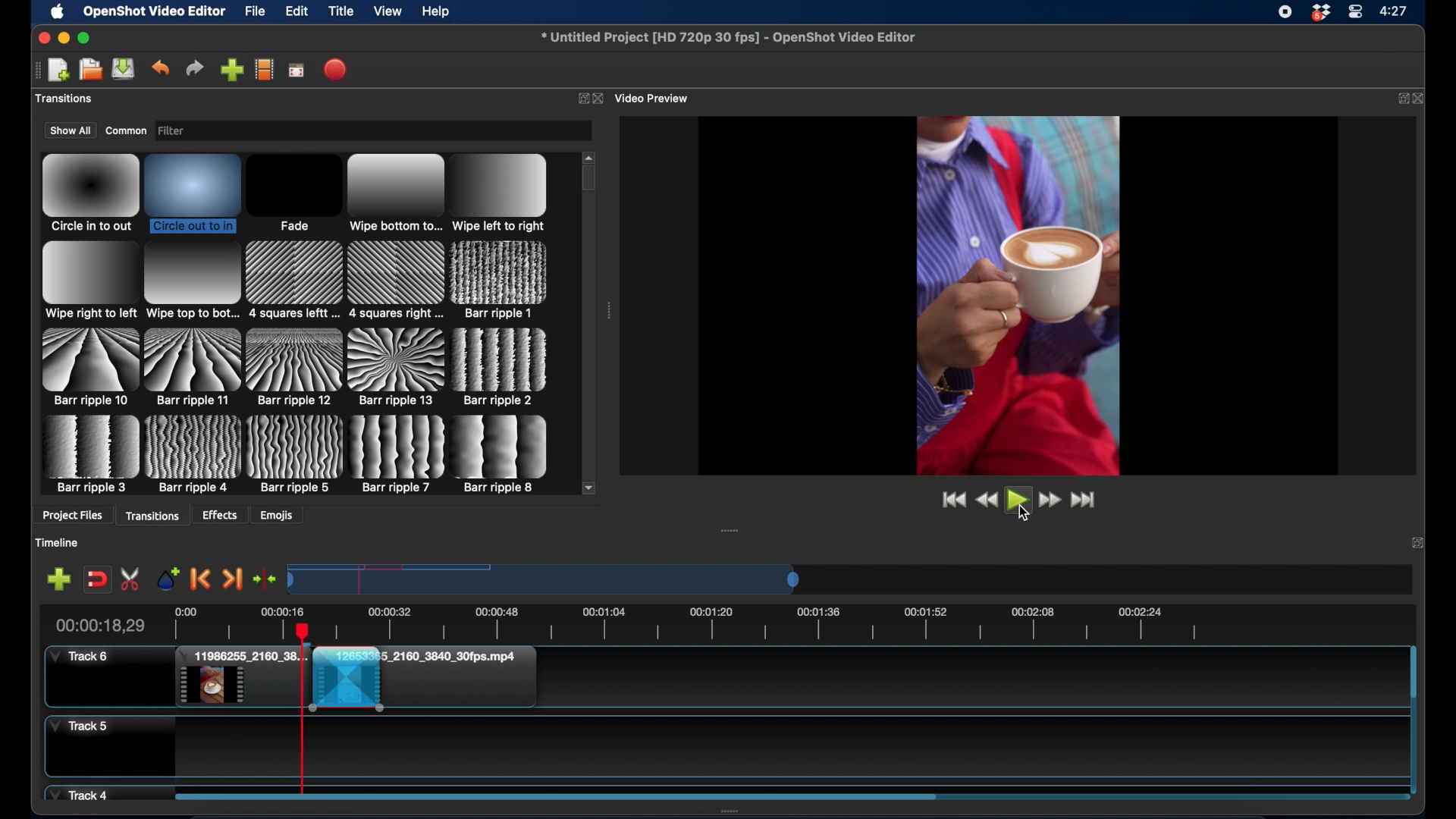 This screenshot has height=819, width=1456. I want to click on transition, so click(294, 281).